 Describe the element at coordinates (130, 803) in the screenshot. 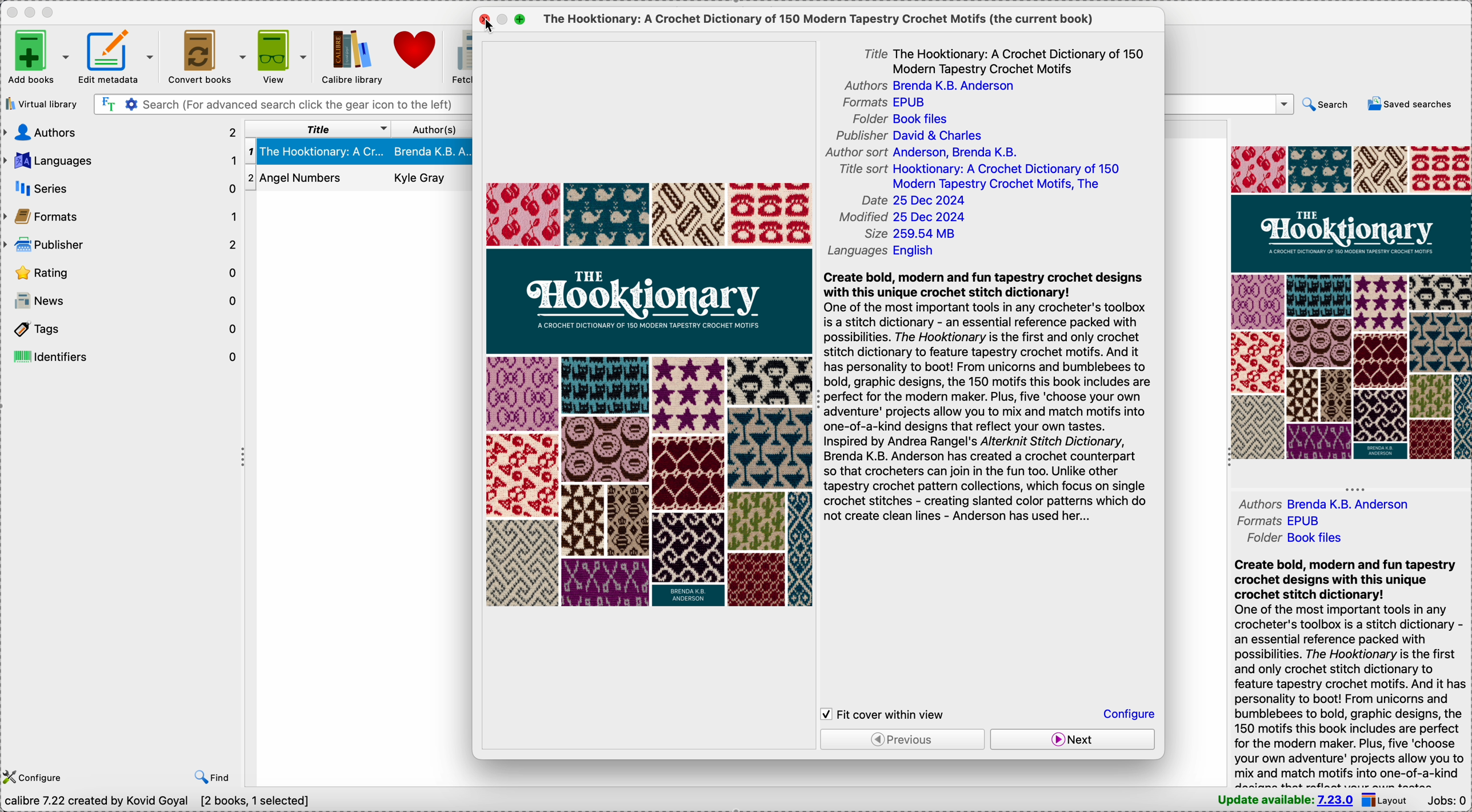

I see `data` at that location.